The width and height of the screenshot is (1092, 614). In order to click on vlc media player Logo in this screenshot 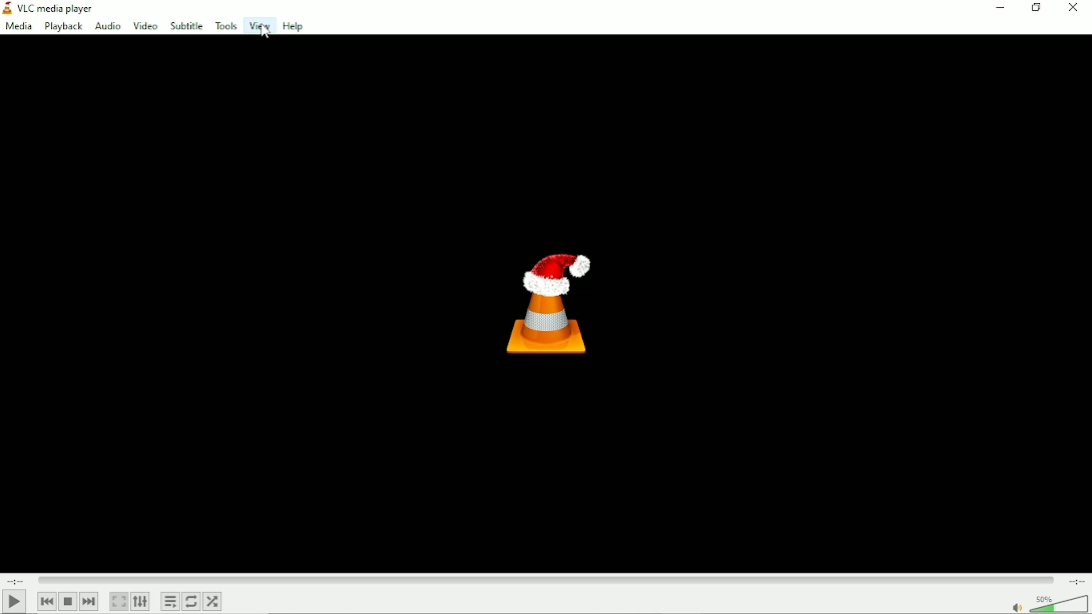, I will do `click(543, 300)`.